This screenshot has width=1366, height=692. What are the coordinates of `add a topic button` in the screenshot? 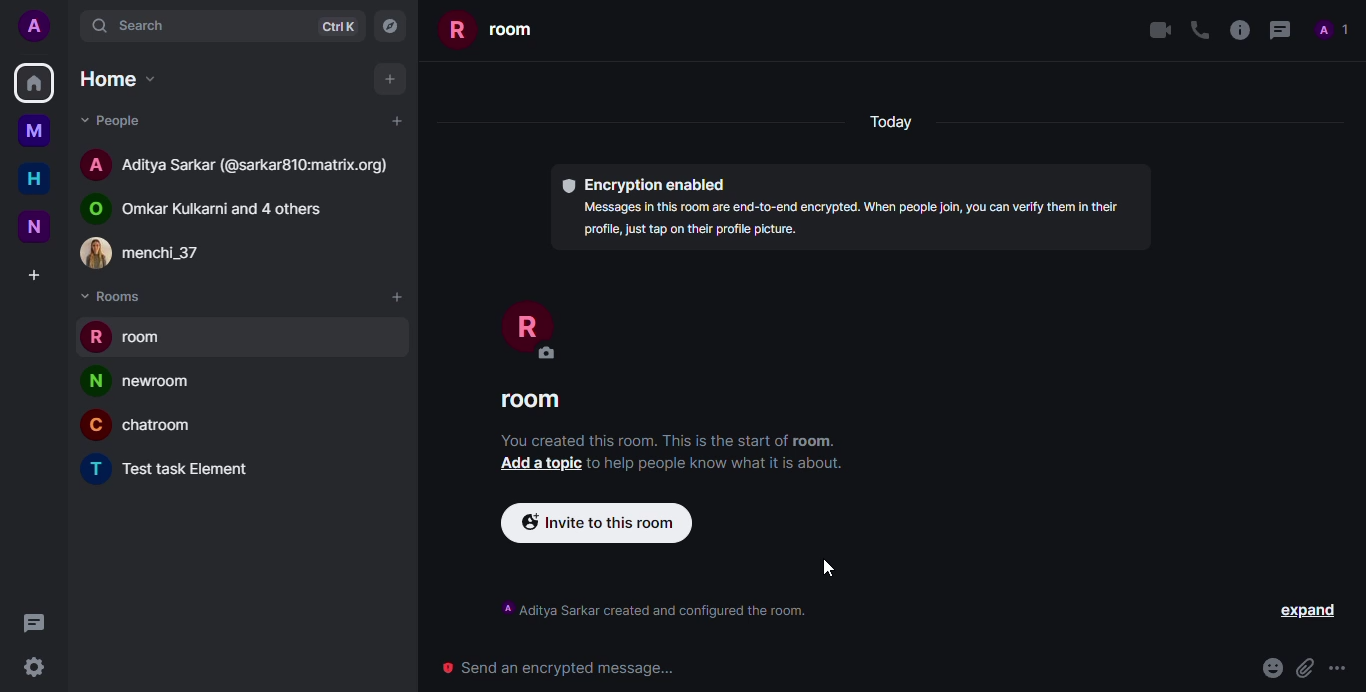 It's located at (542, 464).